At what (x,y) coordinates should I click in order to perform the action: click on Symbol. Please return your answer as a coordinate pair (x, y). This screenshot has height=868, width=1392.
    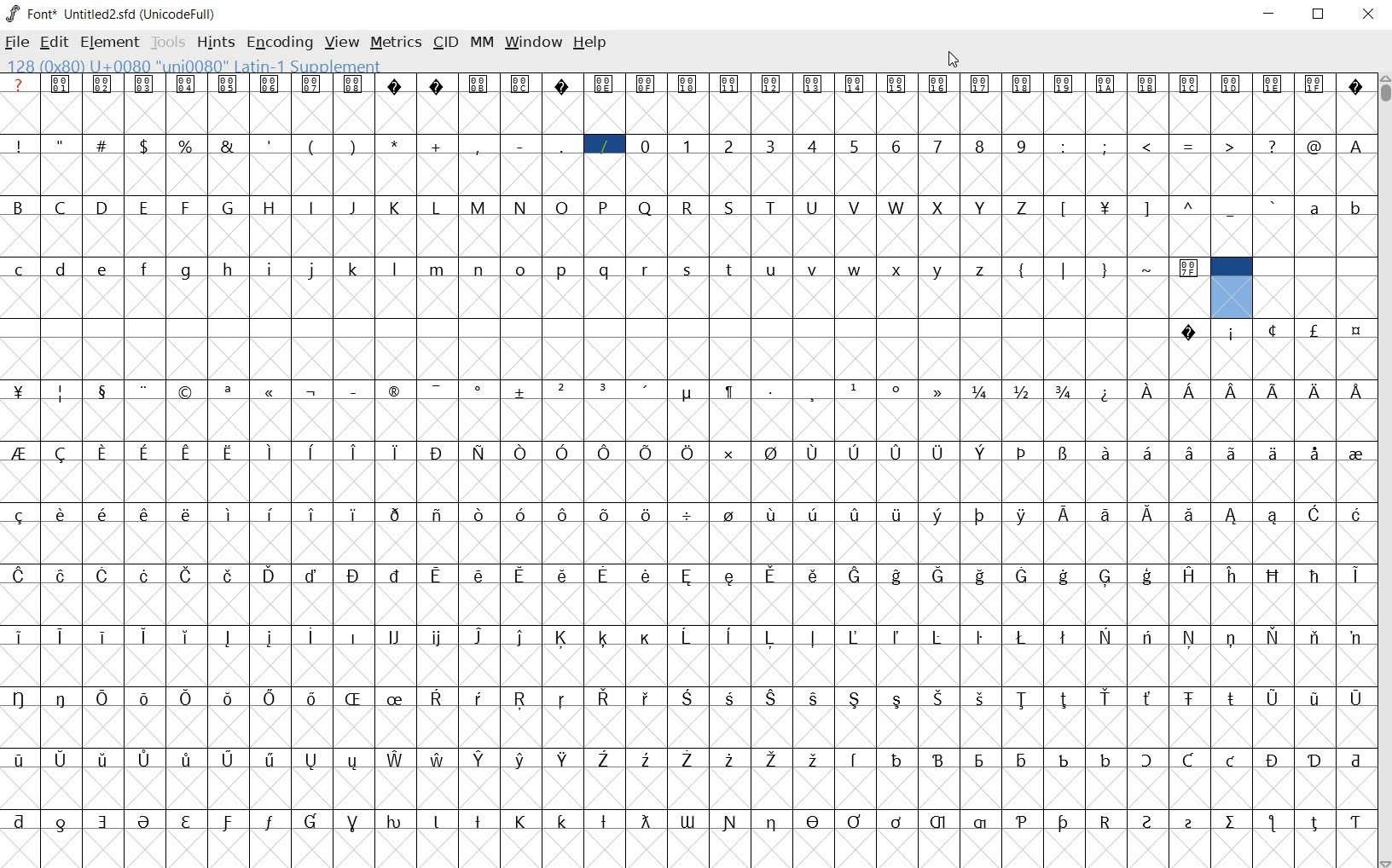
    Looking at the image, I should click on (397, 759).